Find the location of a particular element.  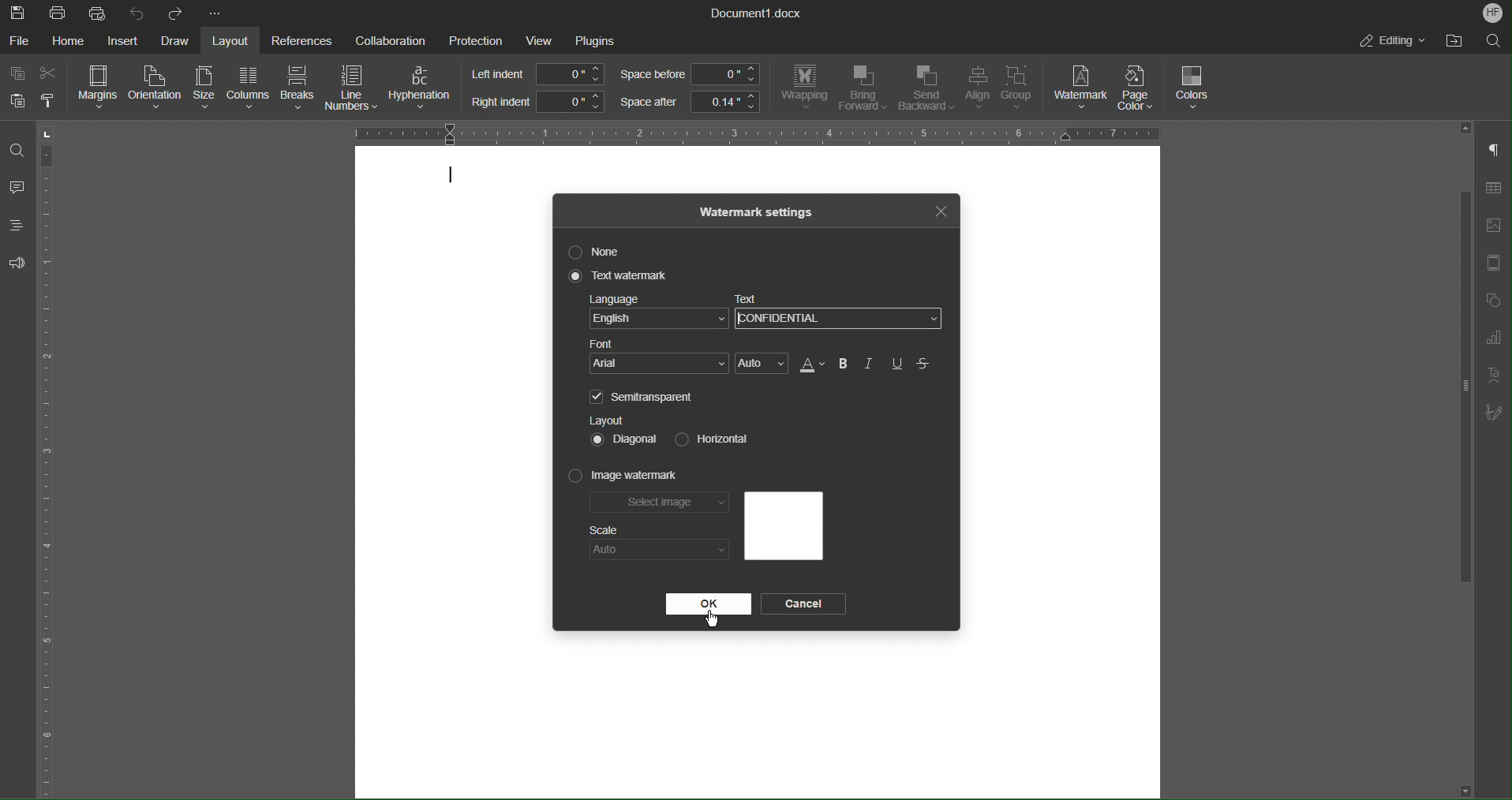

More is located at coordinates (217, 14).